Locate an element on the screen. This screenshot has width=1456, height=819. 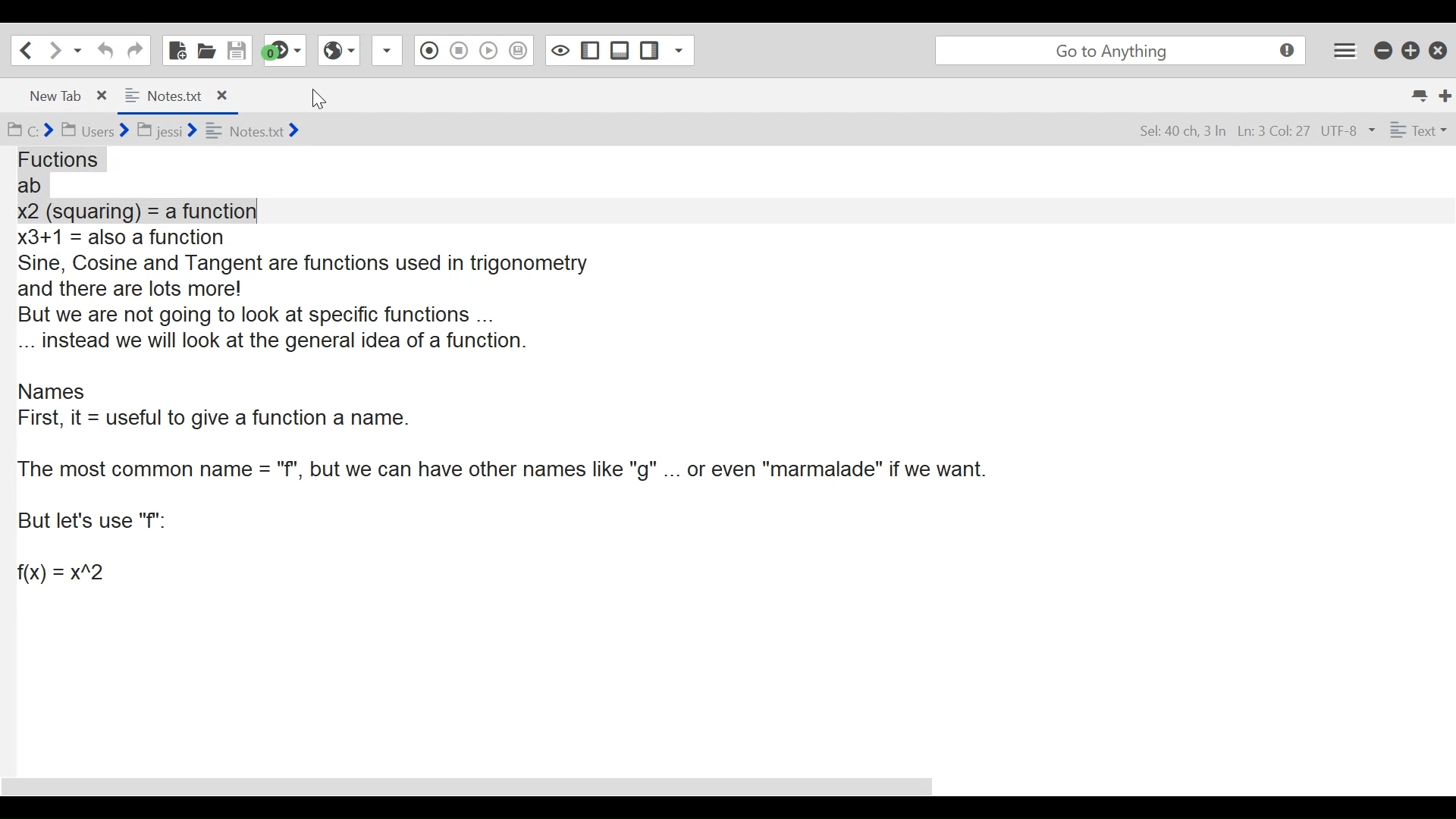
Save File is located at coordinates (238, 50).